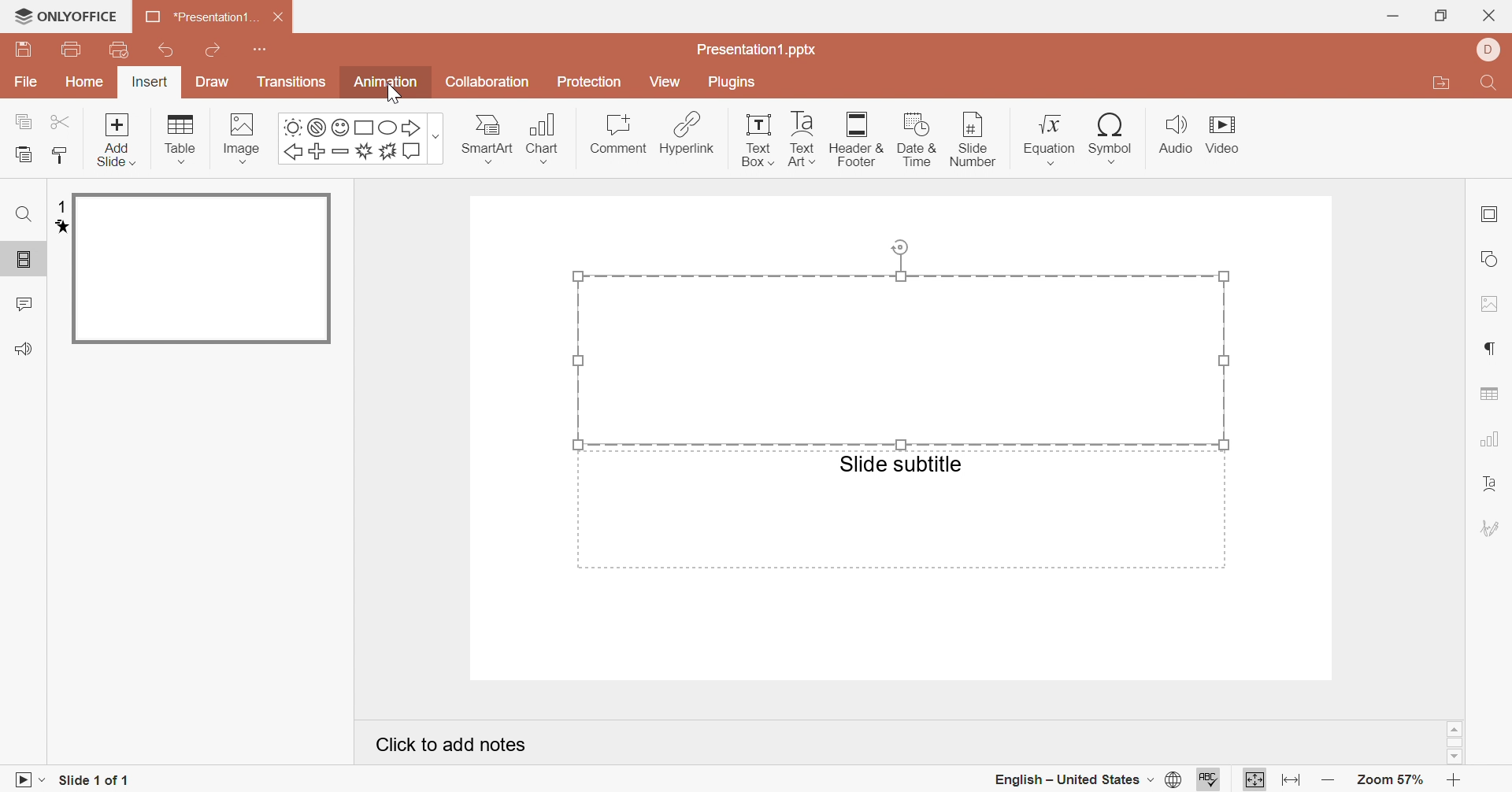 The height and width of the screenshot is (792, 1512). I want to click on header & footer, so click(858, 139).